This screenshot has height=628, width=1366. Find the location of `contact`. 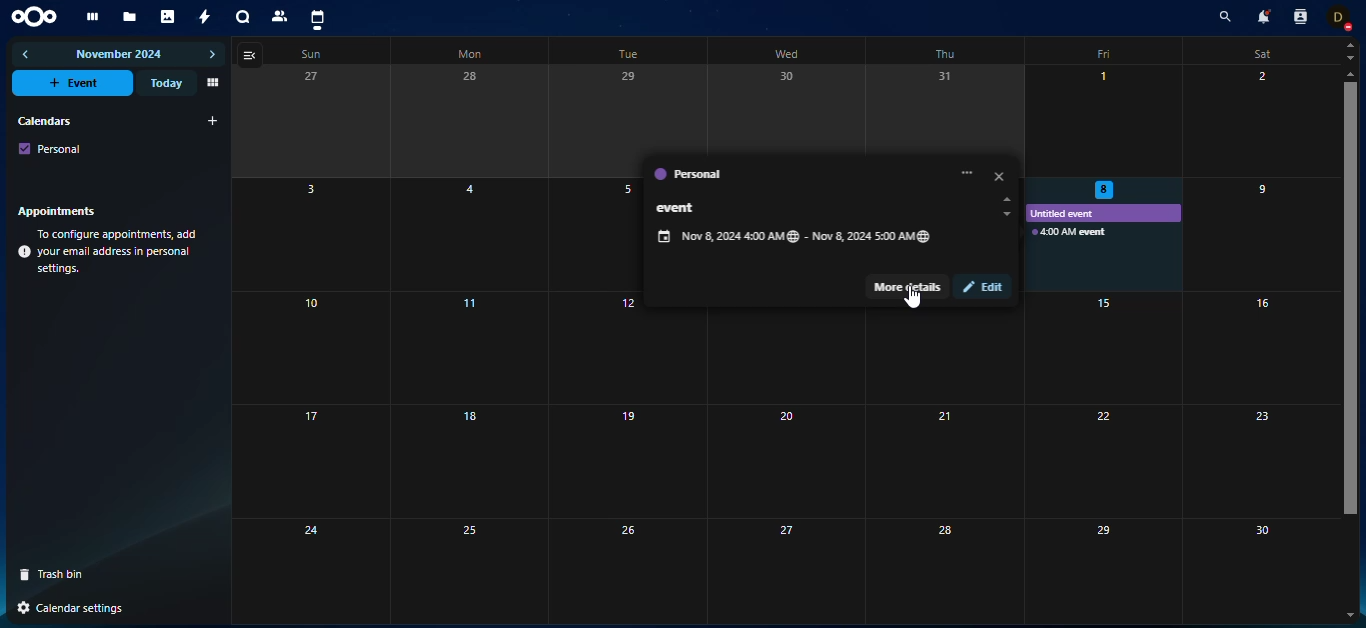

contact is located at coordinates (1299, 17).